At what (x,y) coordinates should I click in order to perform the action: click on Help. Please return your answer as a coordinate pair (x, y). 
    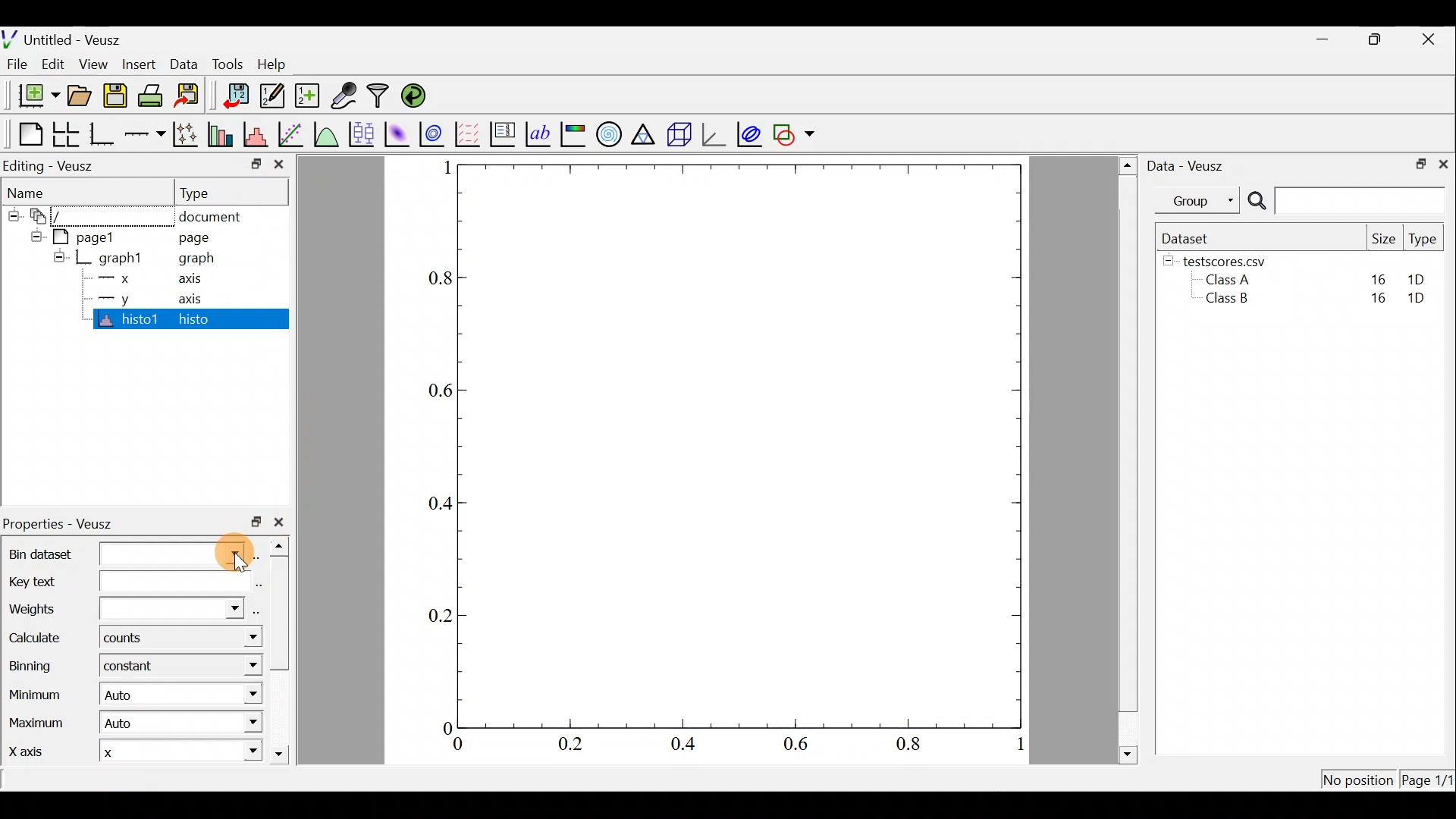
    Looking at the image, I should click on (278, 65).